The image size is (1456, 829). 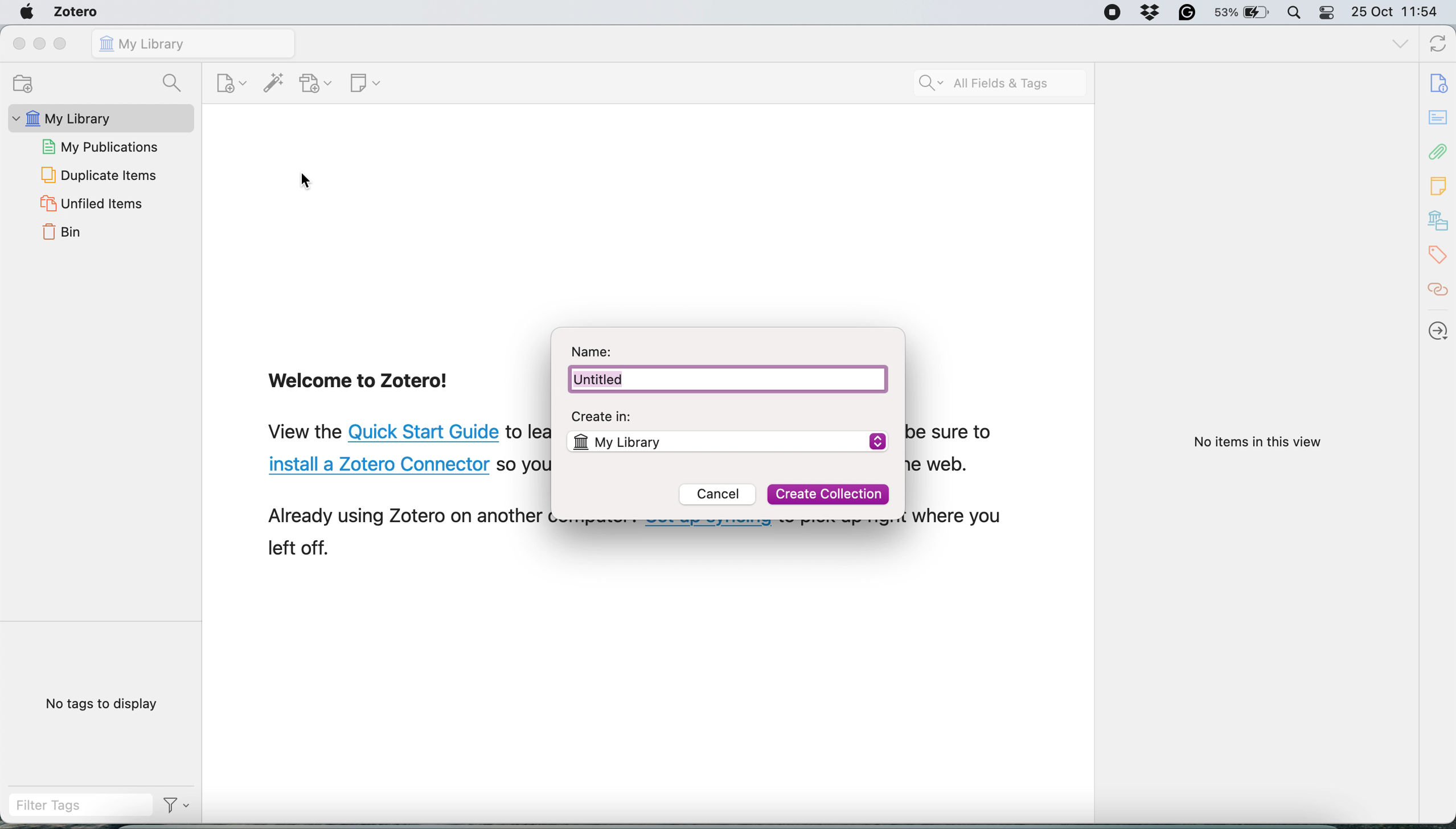 I want to click on bin, so click(x=61, y=235).